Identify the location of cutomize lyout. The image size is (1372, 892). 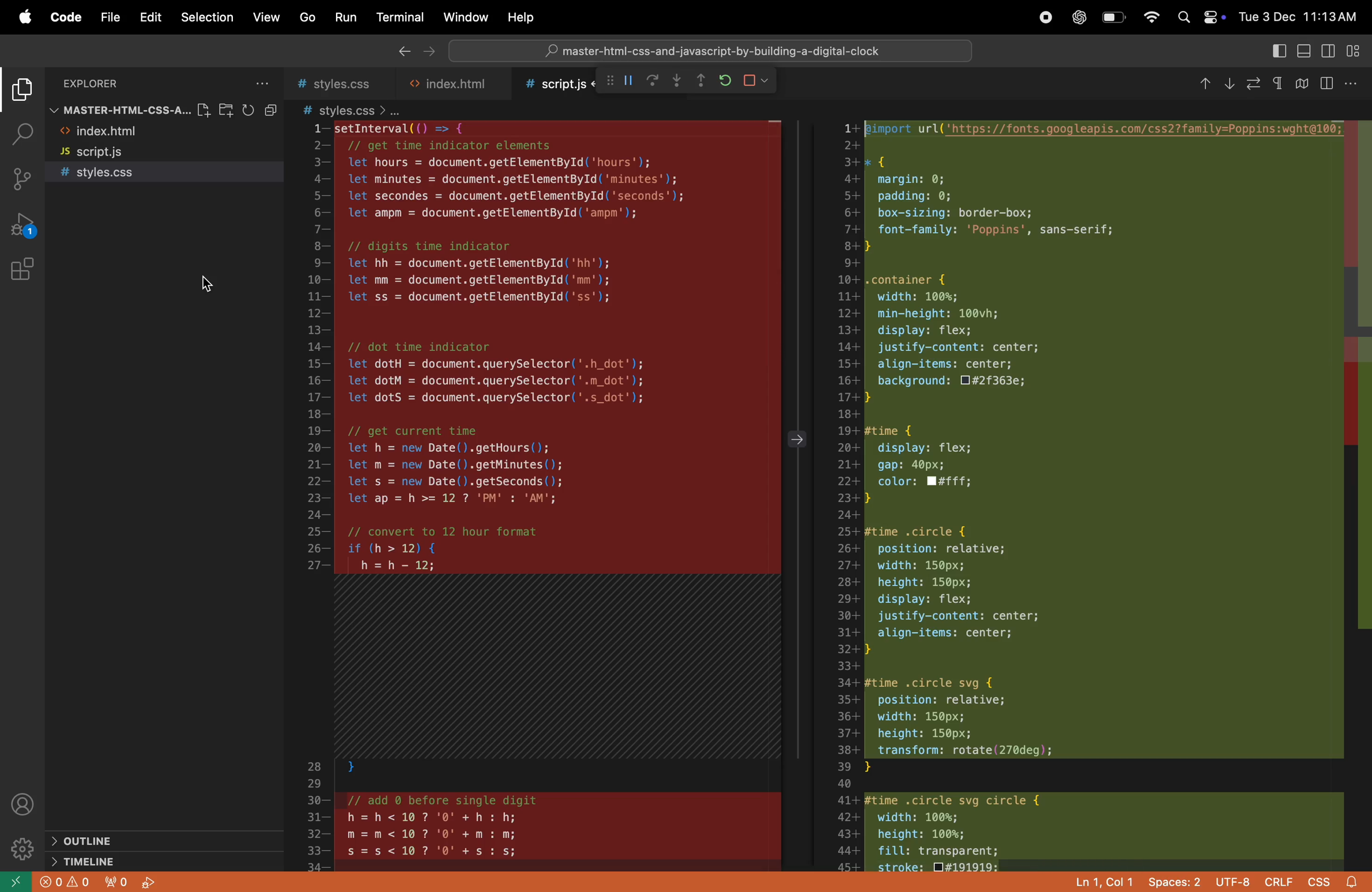
(1356, 50).